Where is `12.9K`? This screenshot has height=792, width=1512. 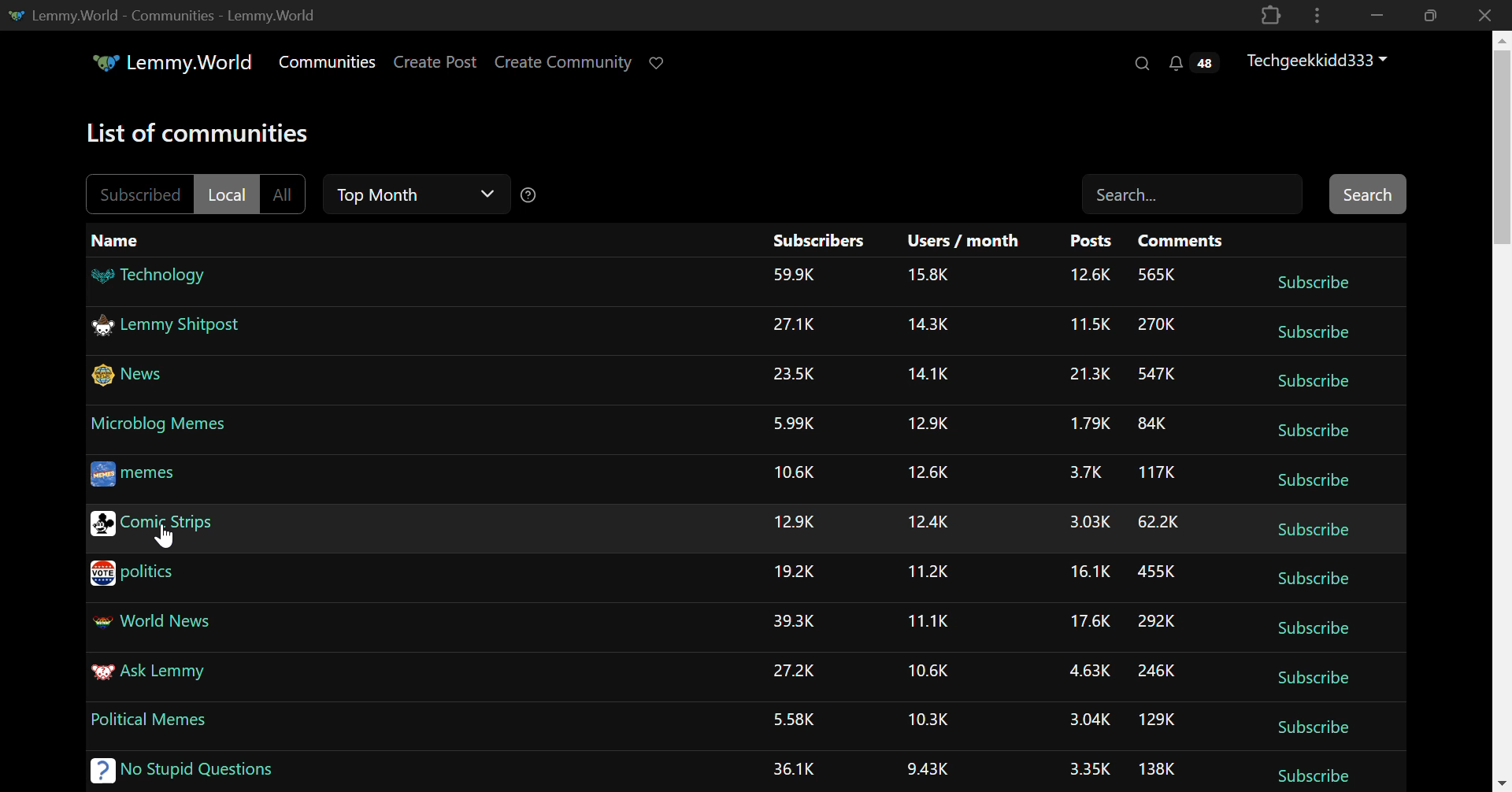
12.9K is located at coordinates (927, 423).